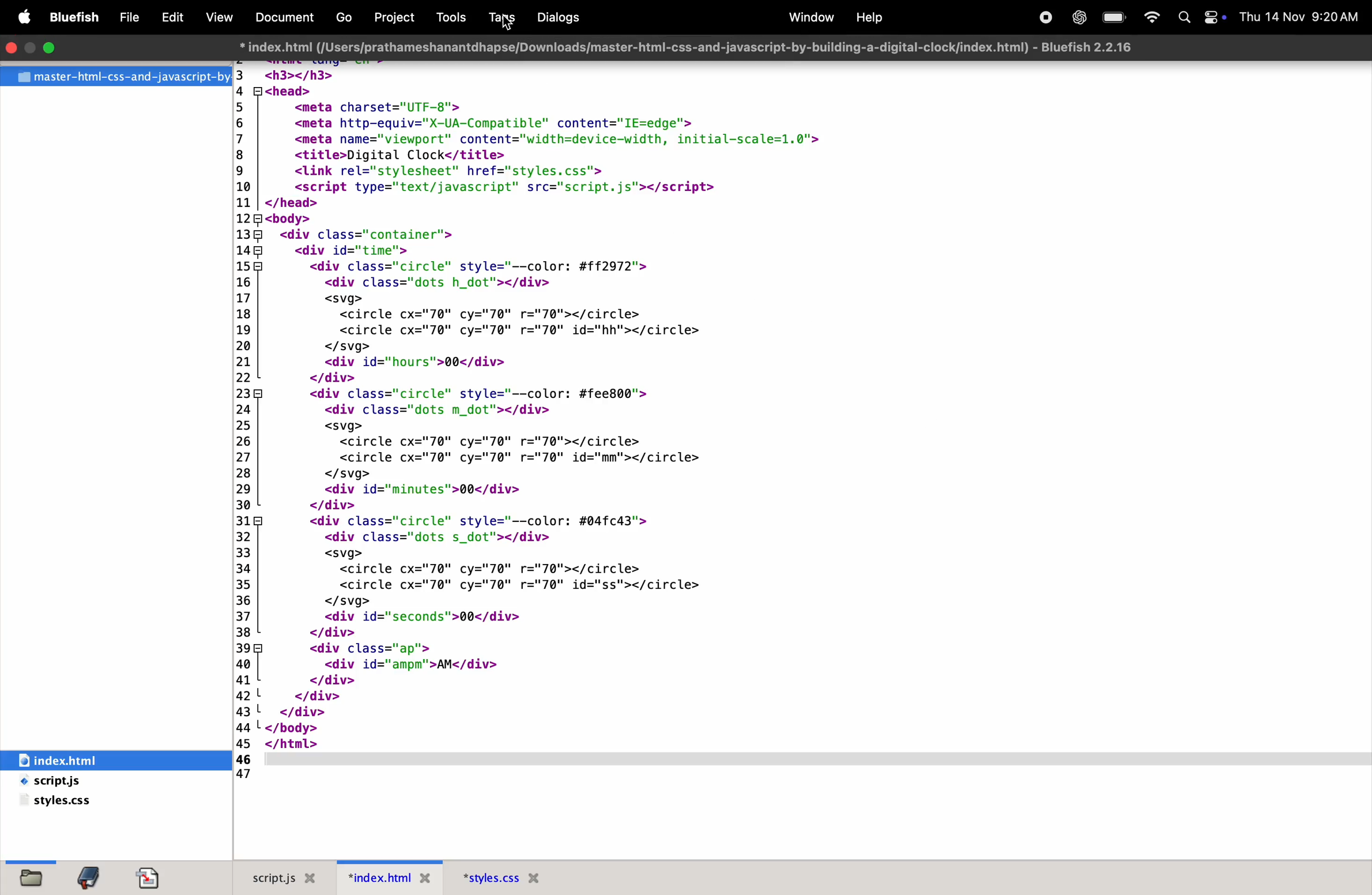 The height and width of the screenshot is (895, 1372). What do you see at coordinates (32, 48) in the screenshot?
I see `maximize` at bounding box center [32, 48].